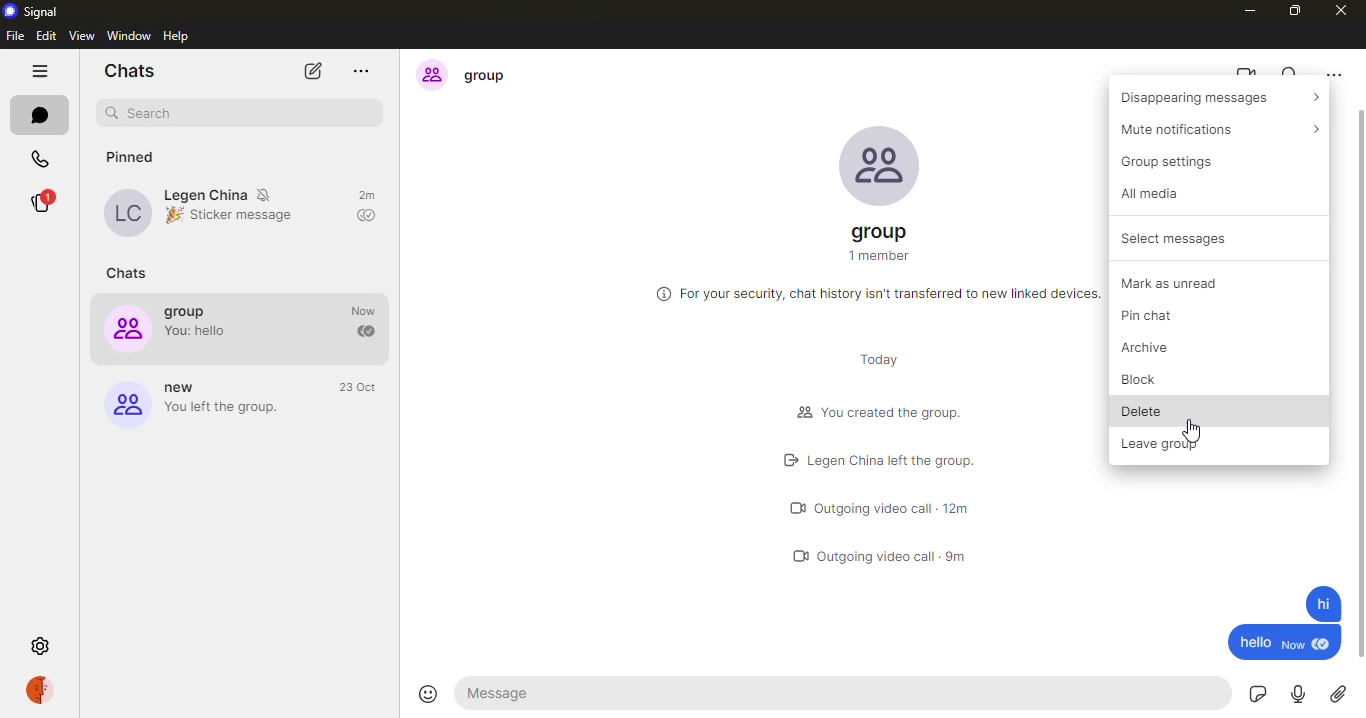 The image size is (1366, 718). What do you see at coordinates (1141, 412) in the screenshot?
I see `delete` at bounding box center [1141, 412].